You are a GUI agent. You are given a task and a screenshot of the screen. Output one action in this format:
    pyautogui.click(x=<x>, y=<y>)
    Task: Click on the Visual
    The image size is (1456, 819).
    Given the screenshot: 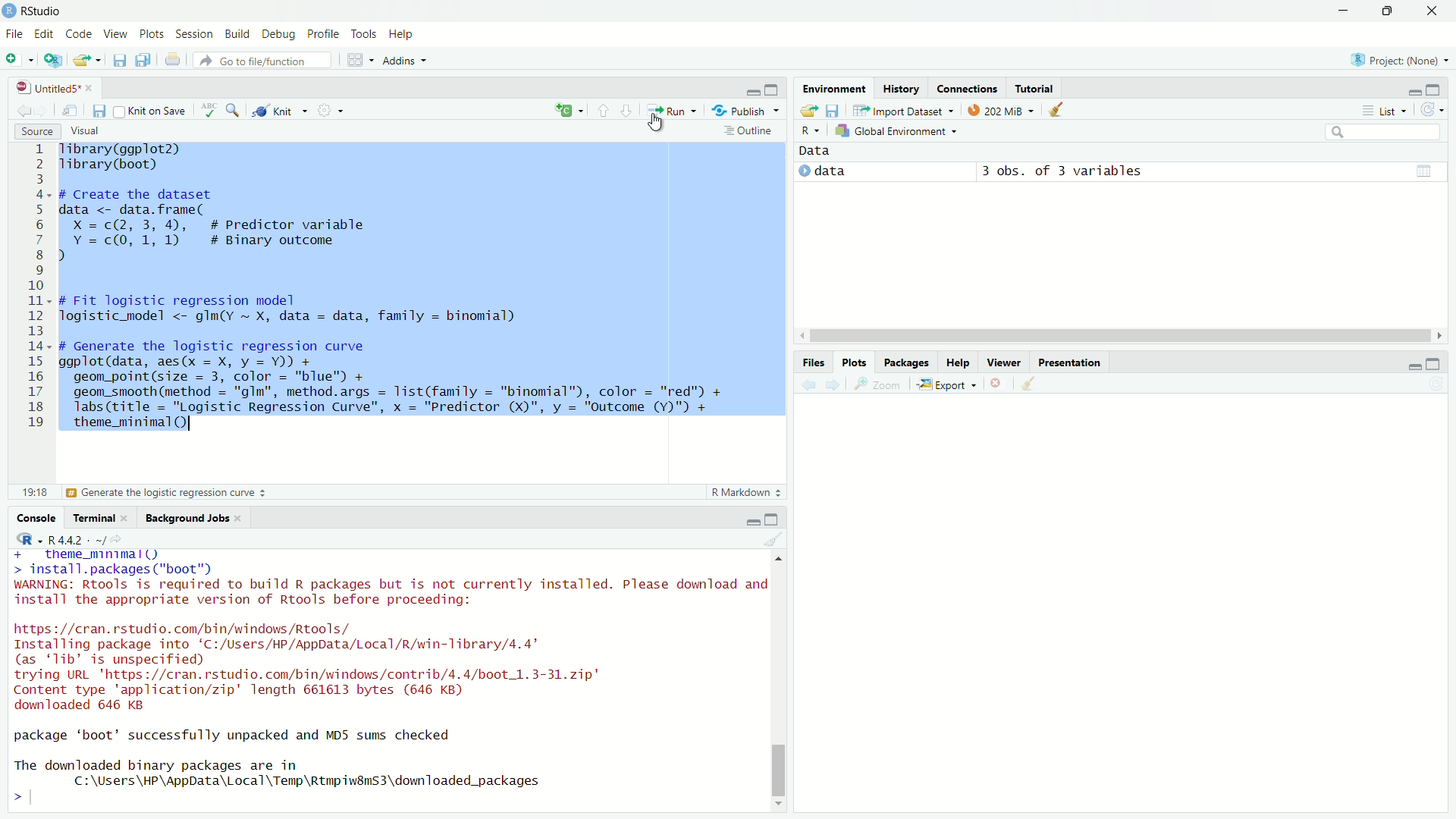 What is the action you would take?
    pyautogui.click(x=84, y=130)
    